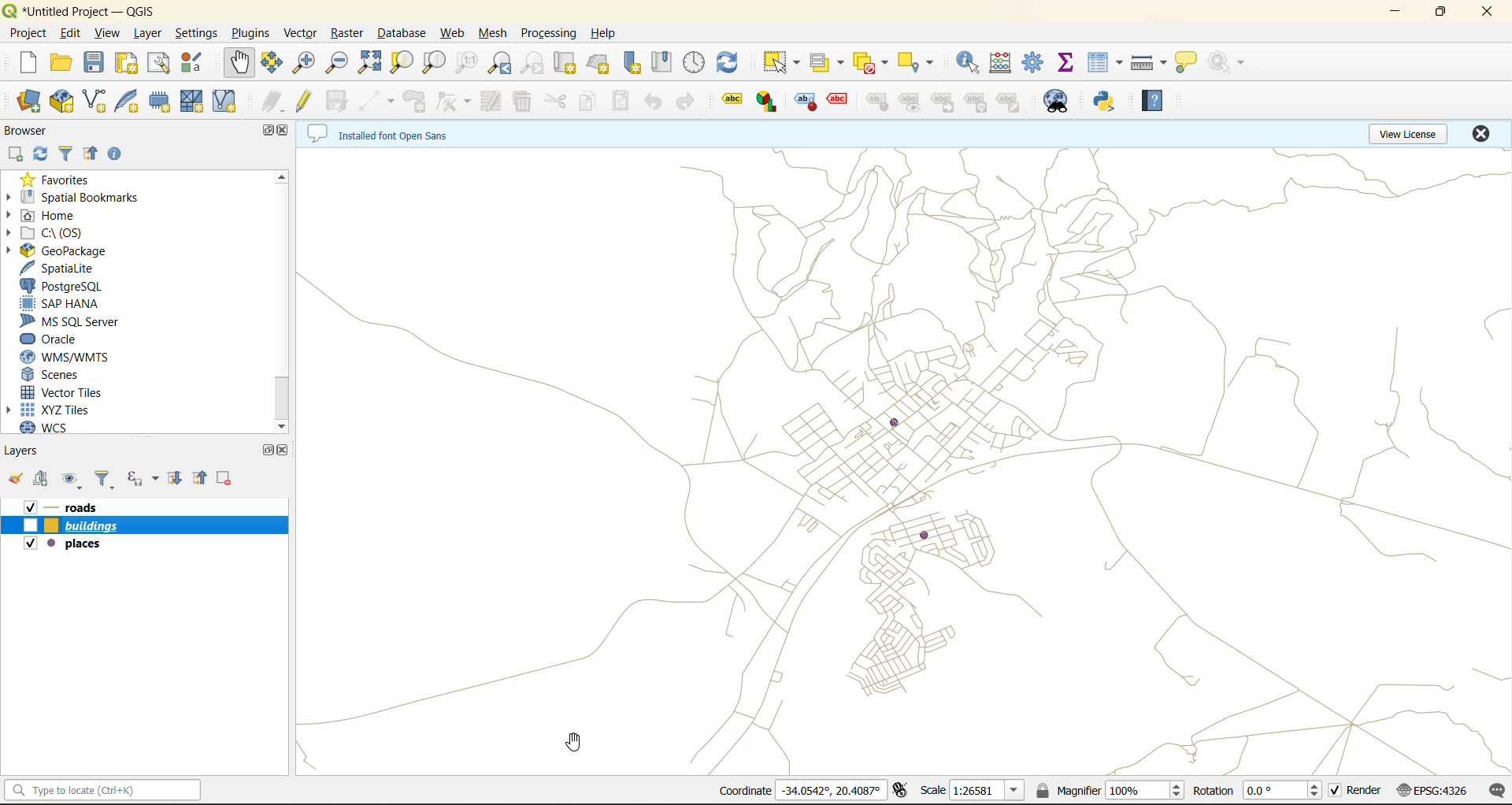 The width and height of the screenshot is (1512, 805). Describe the element at coordinates (768, 102) in the screenshot. I see `Diagram` at that location.